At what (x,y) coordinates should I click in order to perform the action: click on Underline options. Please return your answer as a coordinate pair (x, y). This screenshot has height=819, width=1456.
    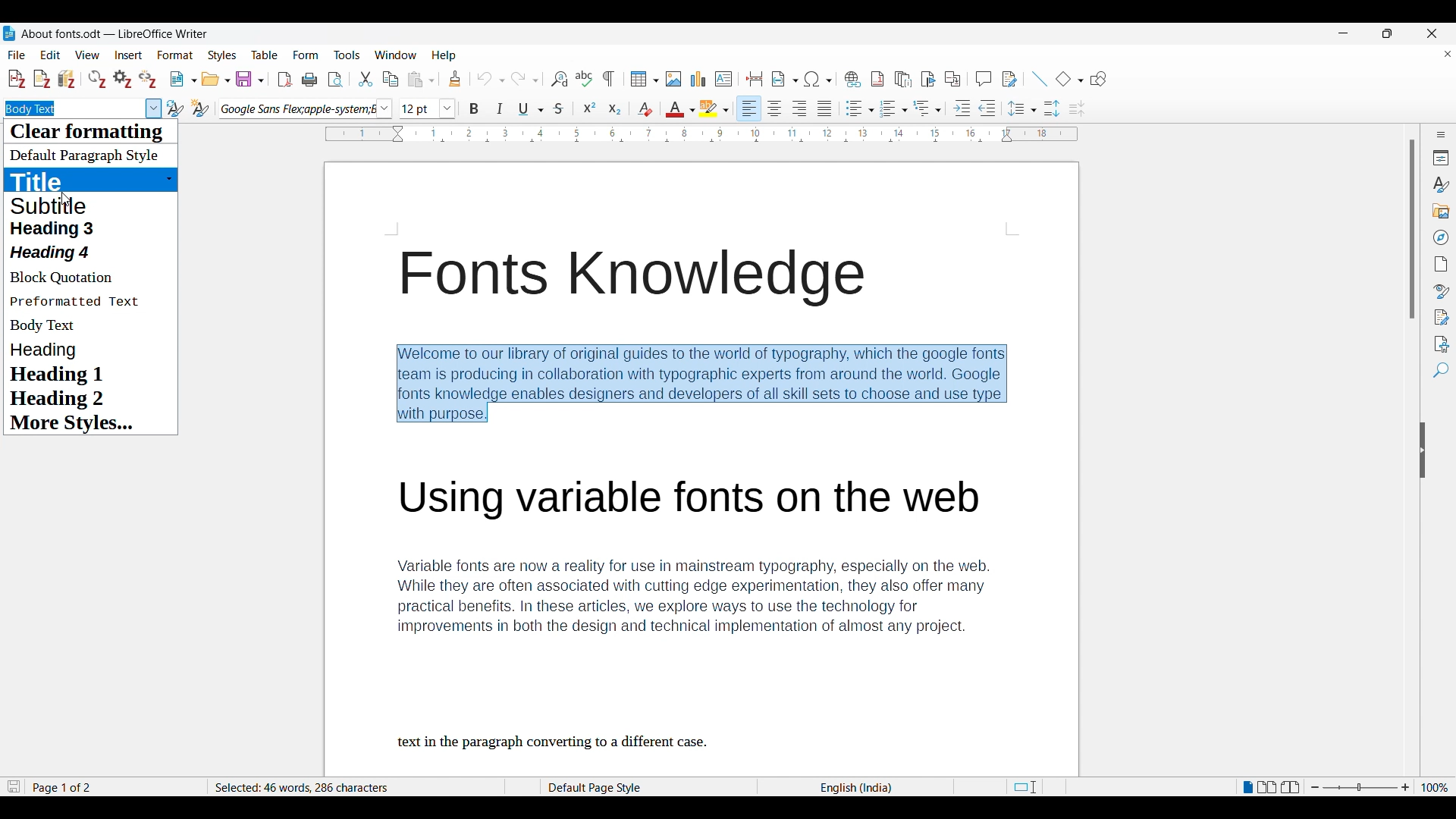
    Looking at the image, I should click on (531, 109).